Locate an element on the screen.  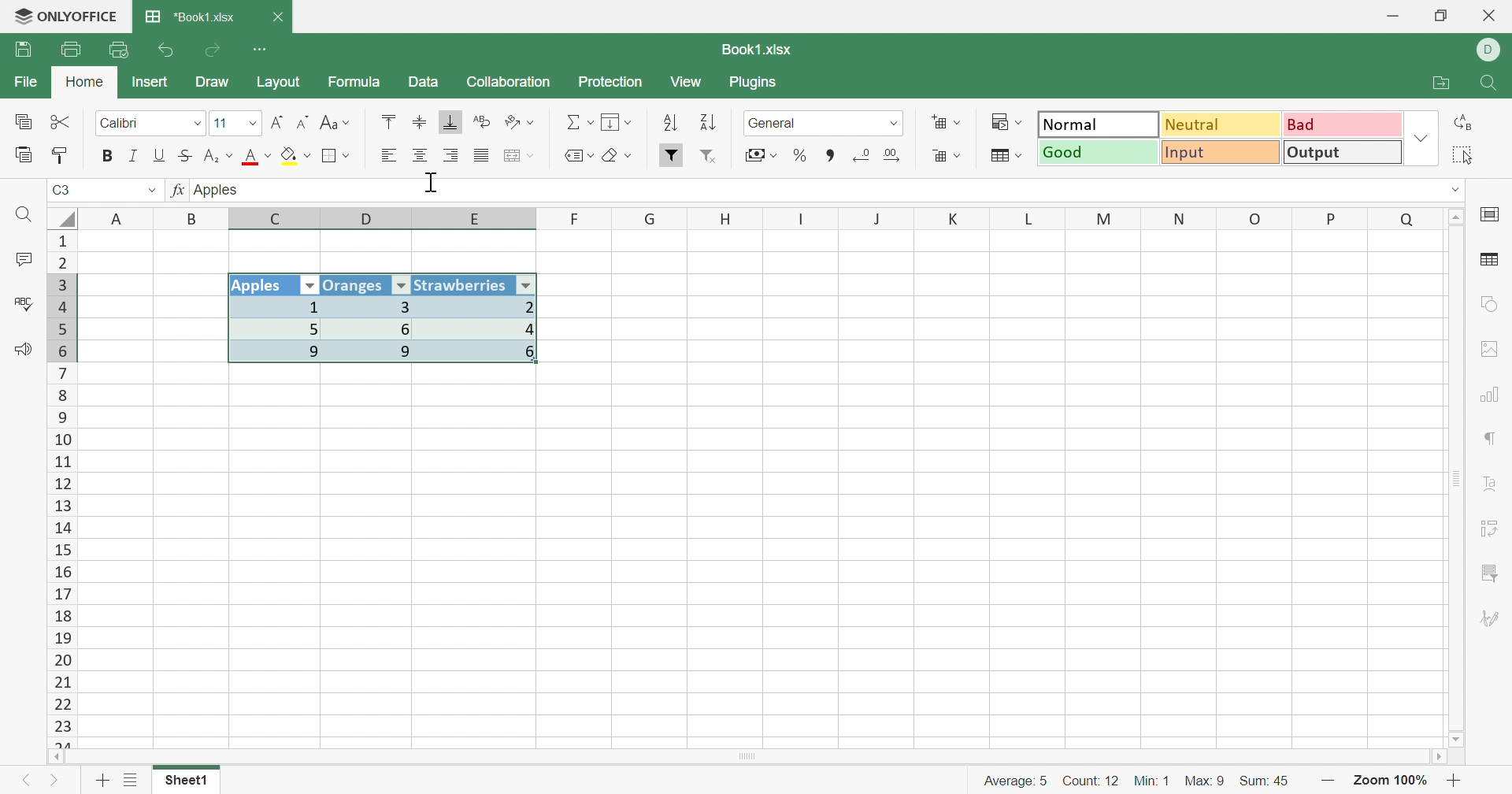
D is located at coordinates (1489, 50).